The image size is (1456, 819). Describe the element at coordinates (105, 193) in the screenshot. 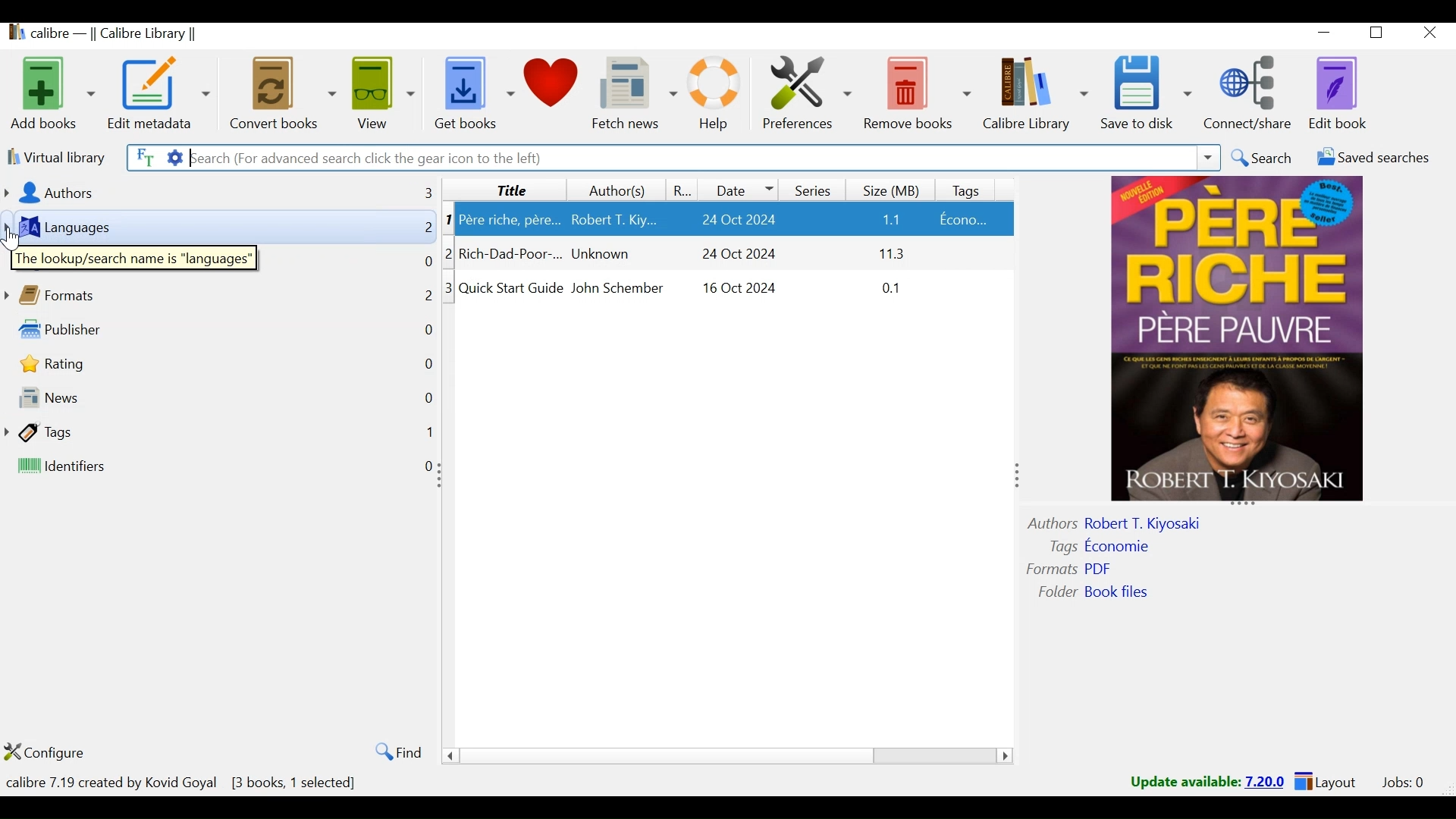

I see `Authors` at that location.